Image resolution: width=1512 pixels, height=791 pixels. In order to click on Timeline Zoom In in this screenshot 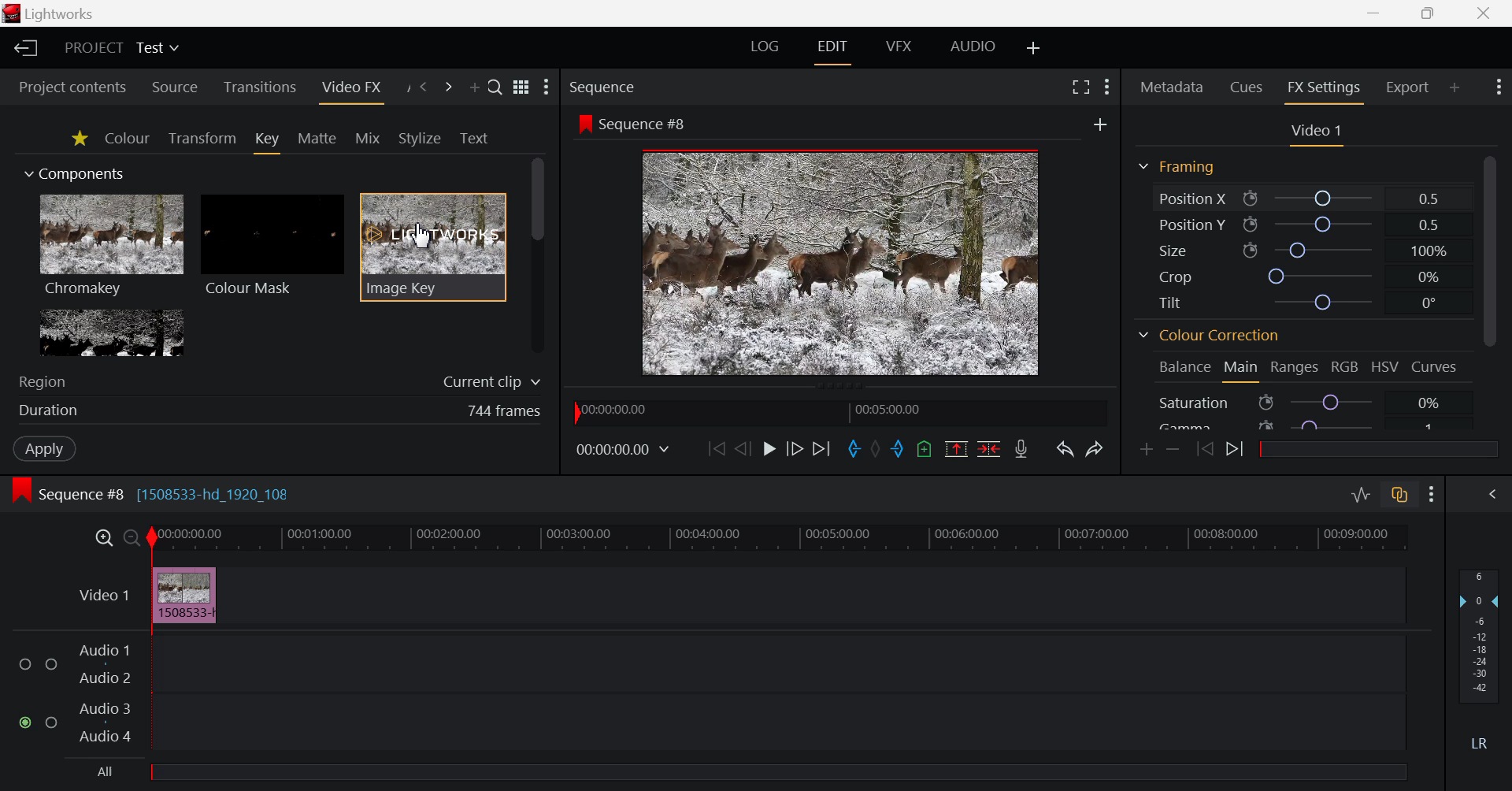, I will do `click(102, 535)`.